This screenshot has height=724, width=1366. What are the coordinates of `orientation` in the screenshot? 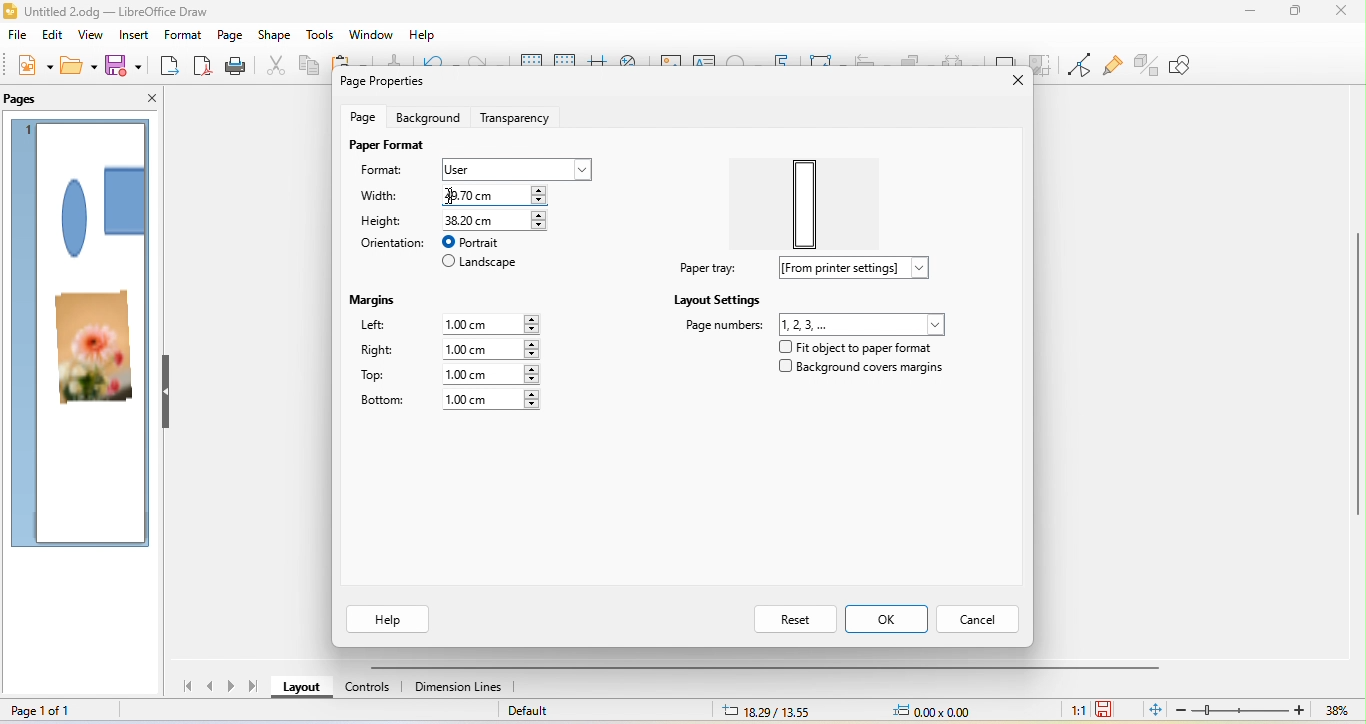 It's located at (392, 245).